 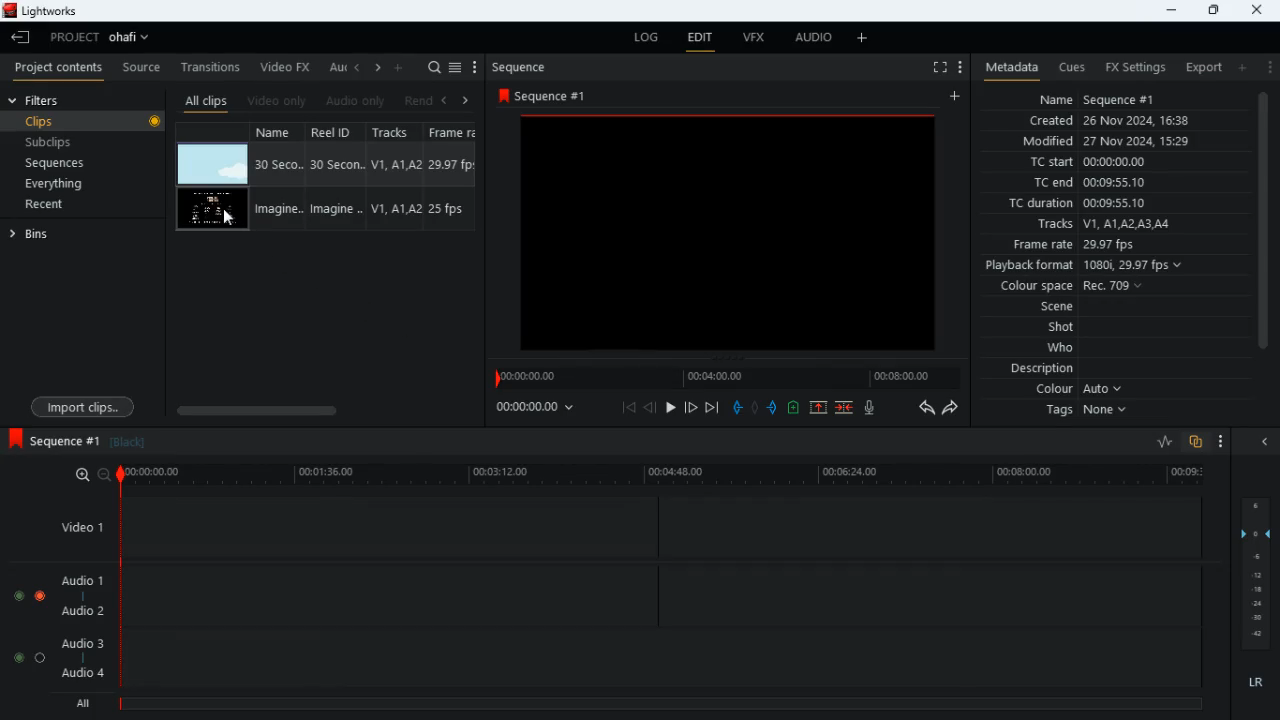 What do you see at coordinates (1058, 308) in the screenshot?
I see `scene` at bounding box center [1058, 308].